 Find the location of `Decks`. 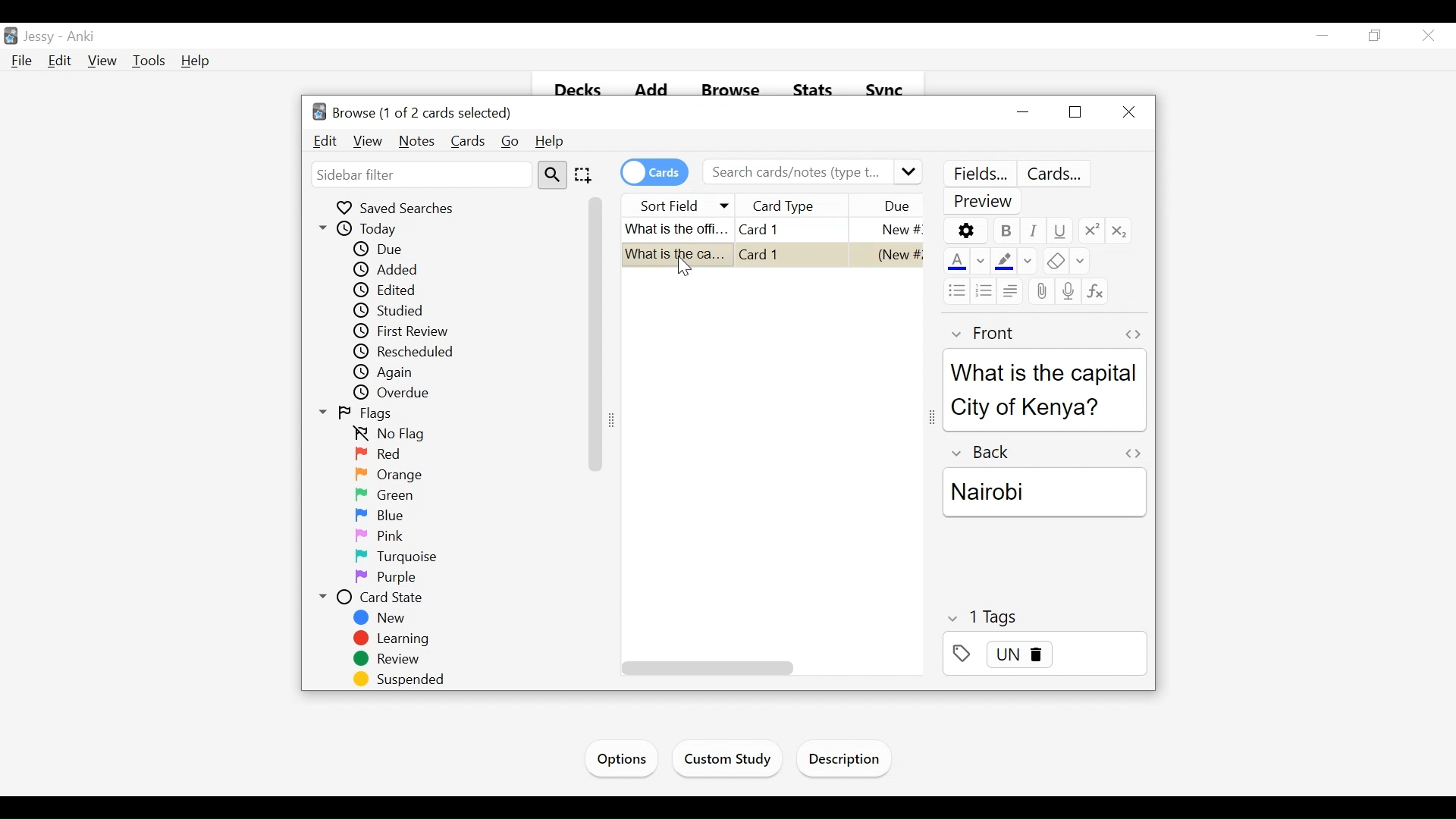

Decks is located at coordinates (571, 92).